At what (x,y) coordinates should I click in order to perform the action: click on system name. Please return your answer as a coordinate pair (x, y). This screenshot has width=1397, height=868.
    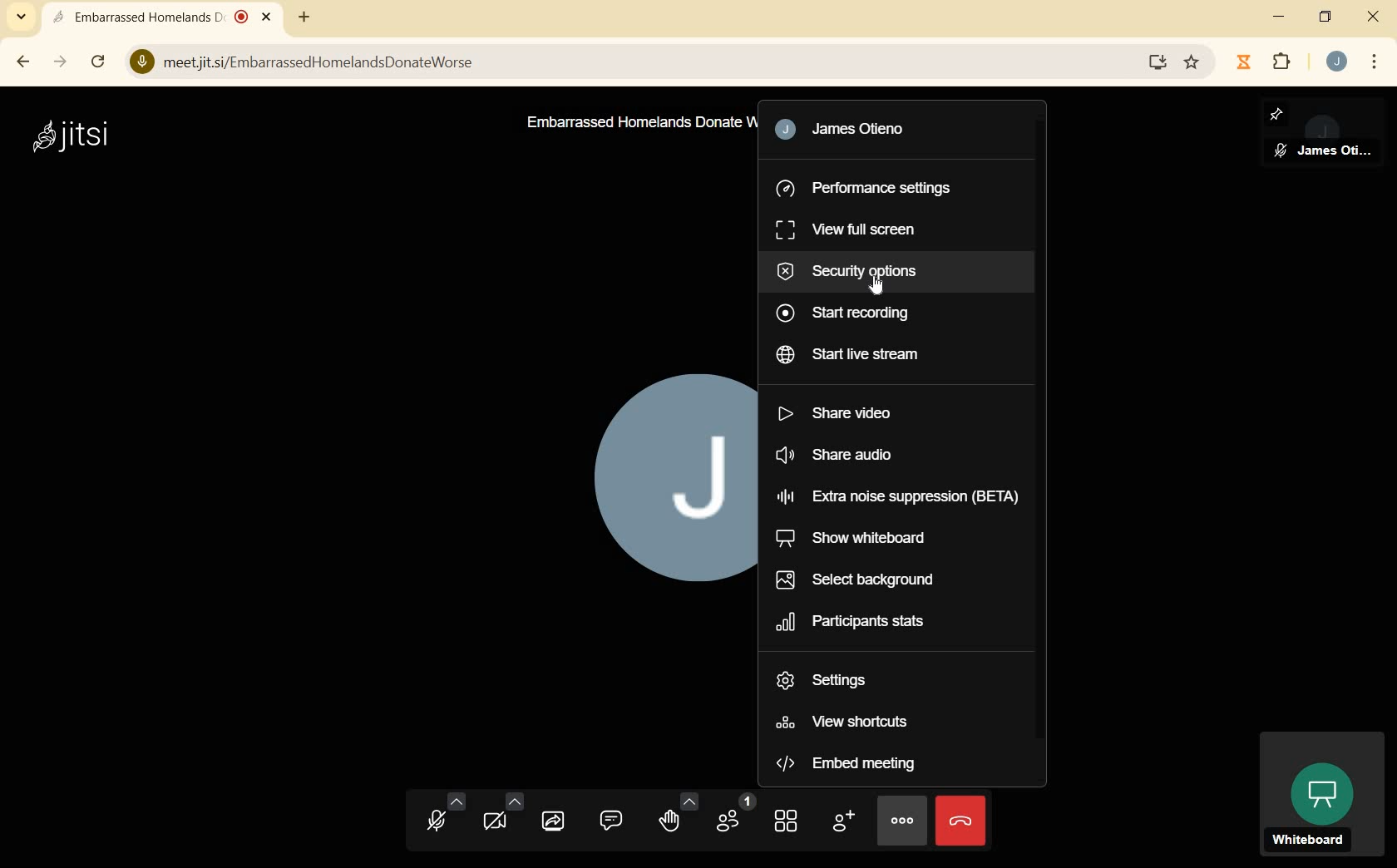
    Looking at the image, I should click on (69, 136).